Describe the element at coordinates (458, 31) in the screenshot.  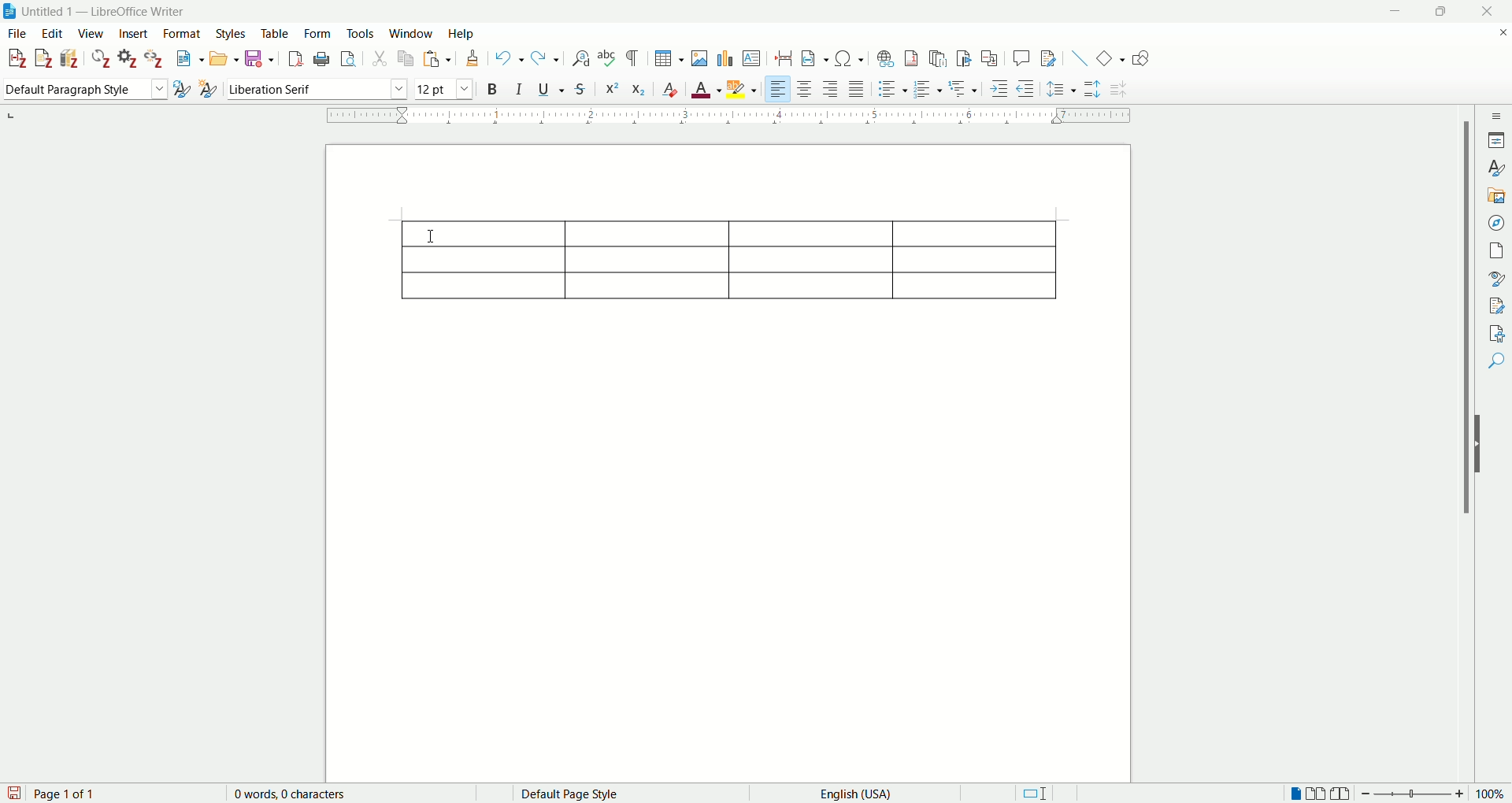
I see `help` at that location.